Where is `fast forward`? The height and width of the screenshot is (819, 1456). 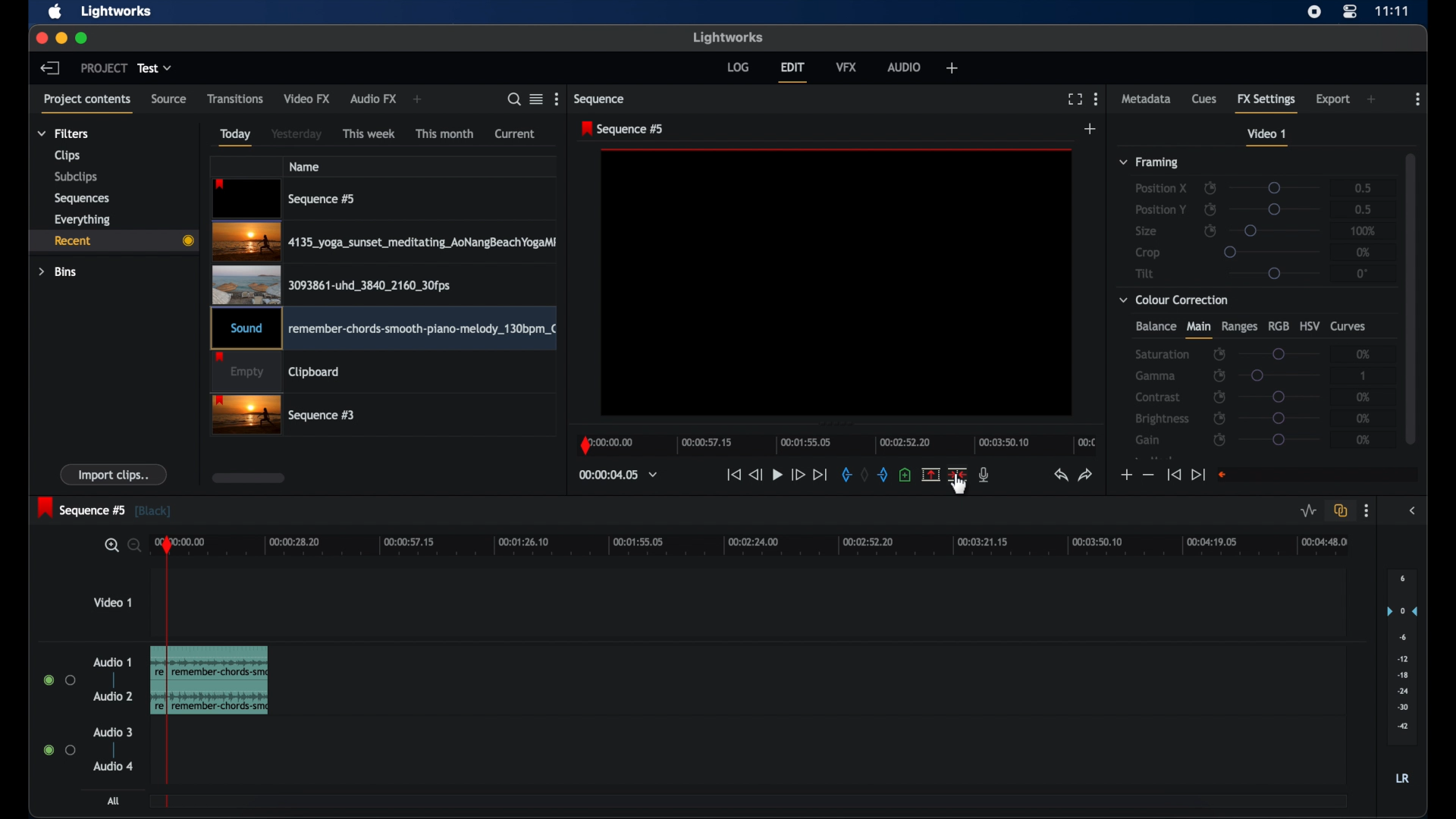
fast forward is located at coordinates (798, 475).